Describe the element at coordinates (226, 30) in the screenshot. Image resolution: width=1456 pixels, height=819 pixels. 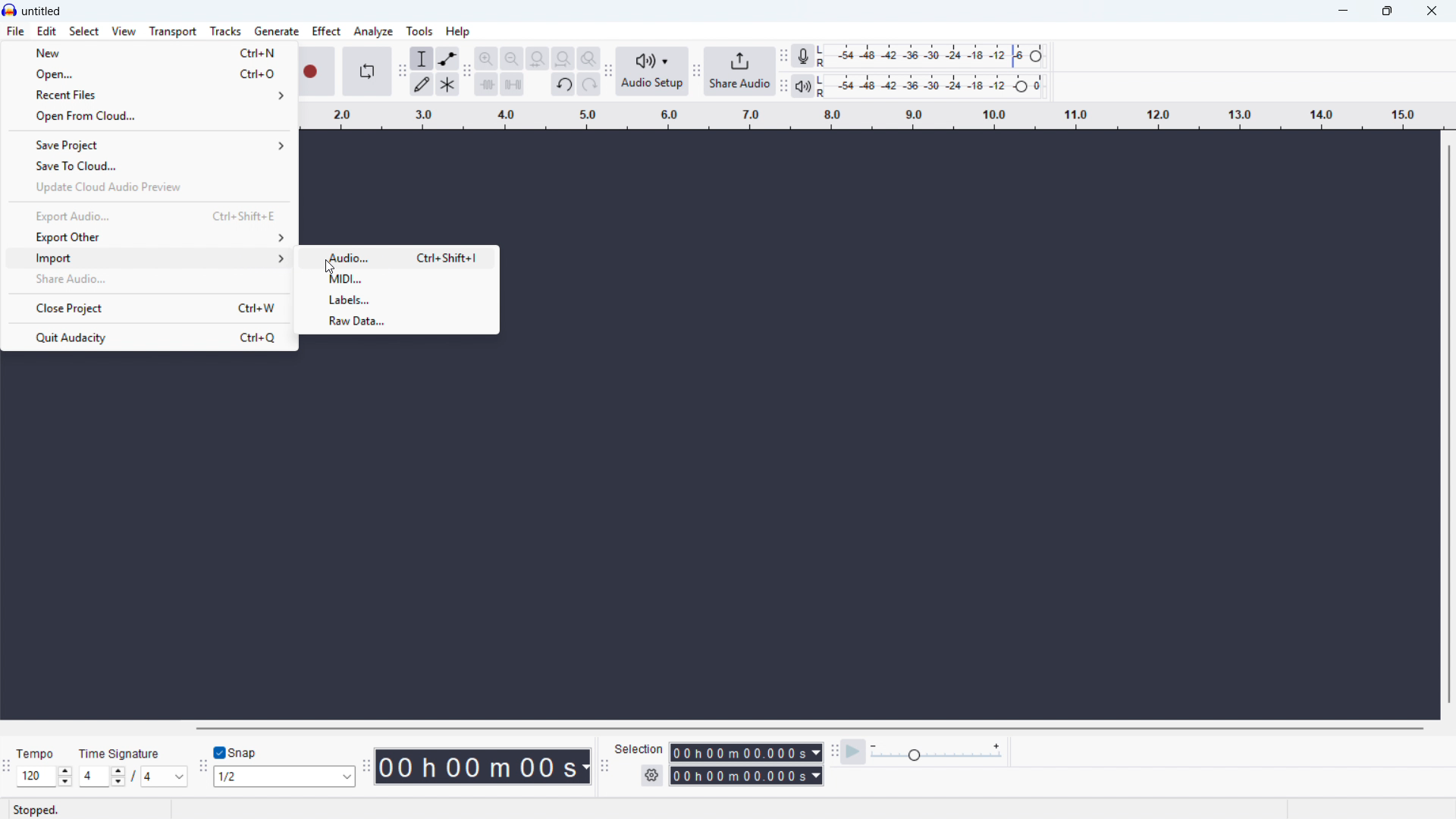
I see `Tracks ` at that location.